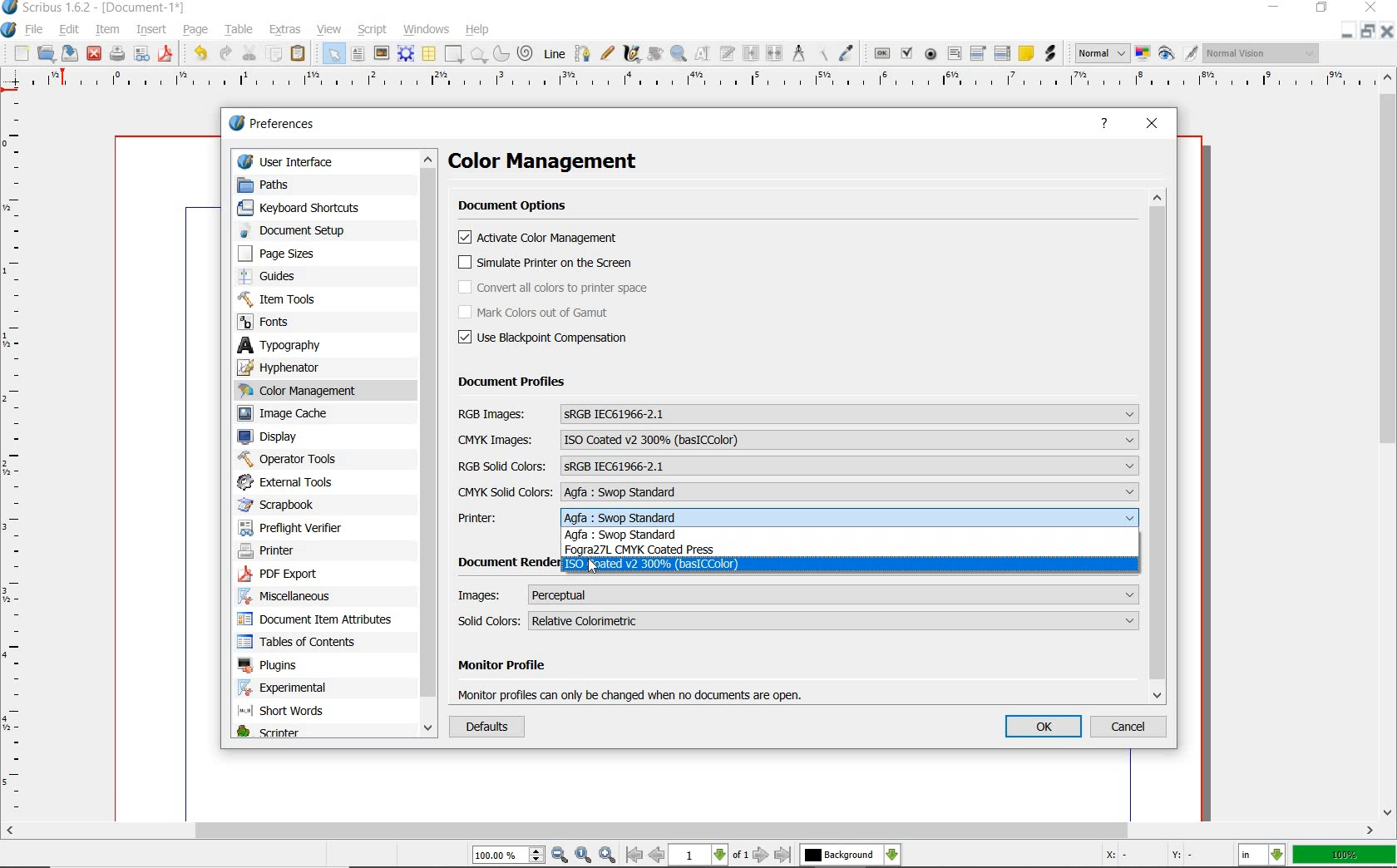 The image size is (1397, 868). What do you see at coordinates (800, 620) in the screenshot?
I see `solid colors` at bounding box center [800, 620].